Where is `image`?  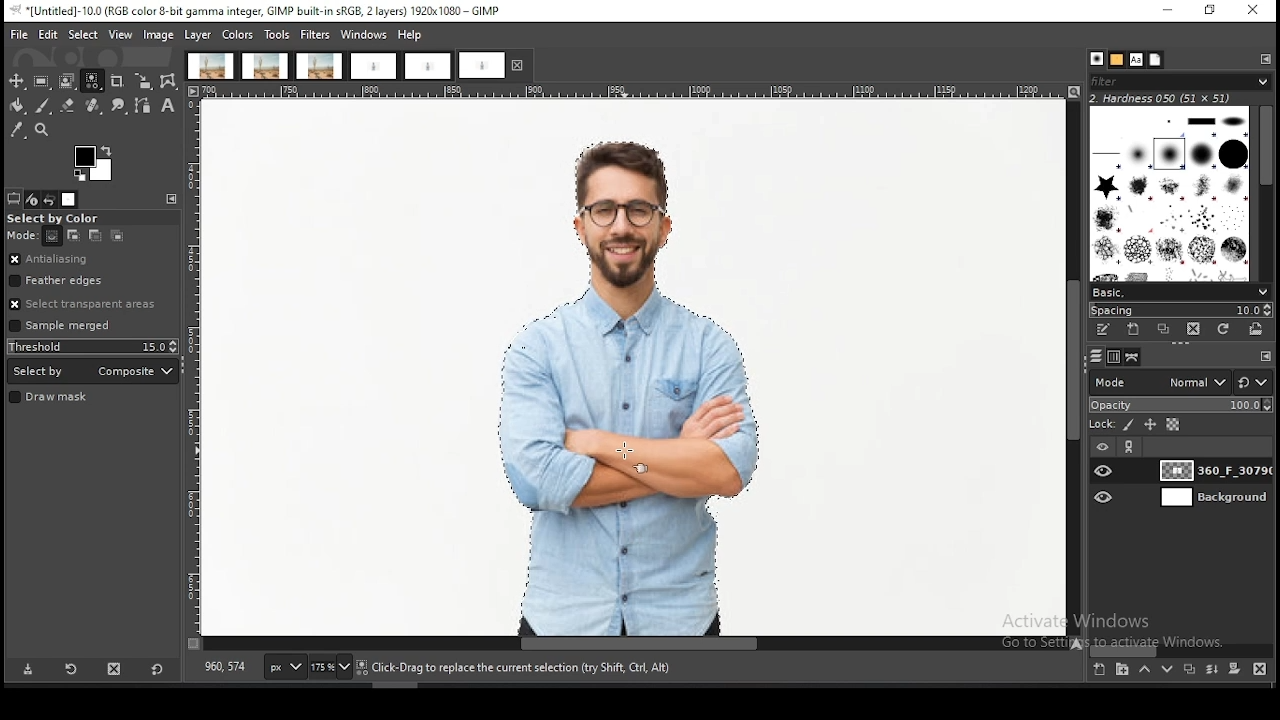
image is located at coordinates (623, 369).